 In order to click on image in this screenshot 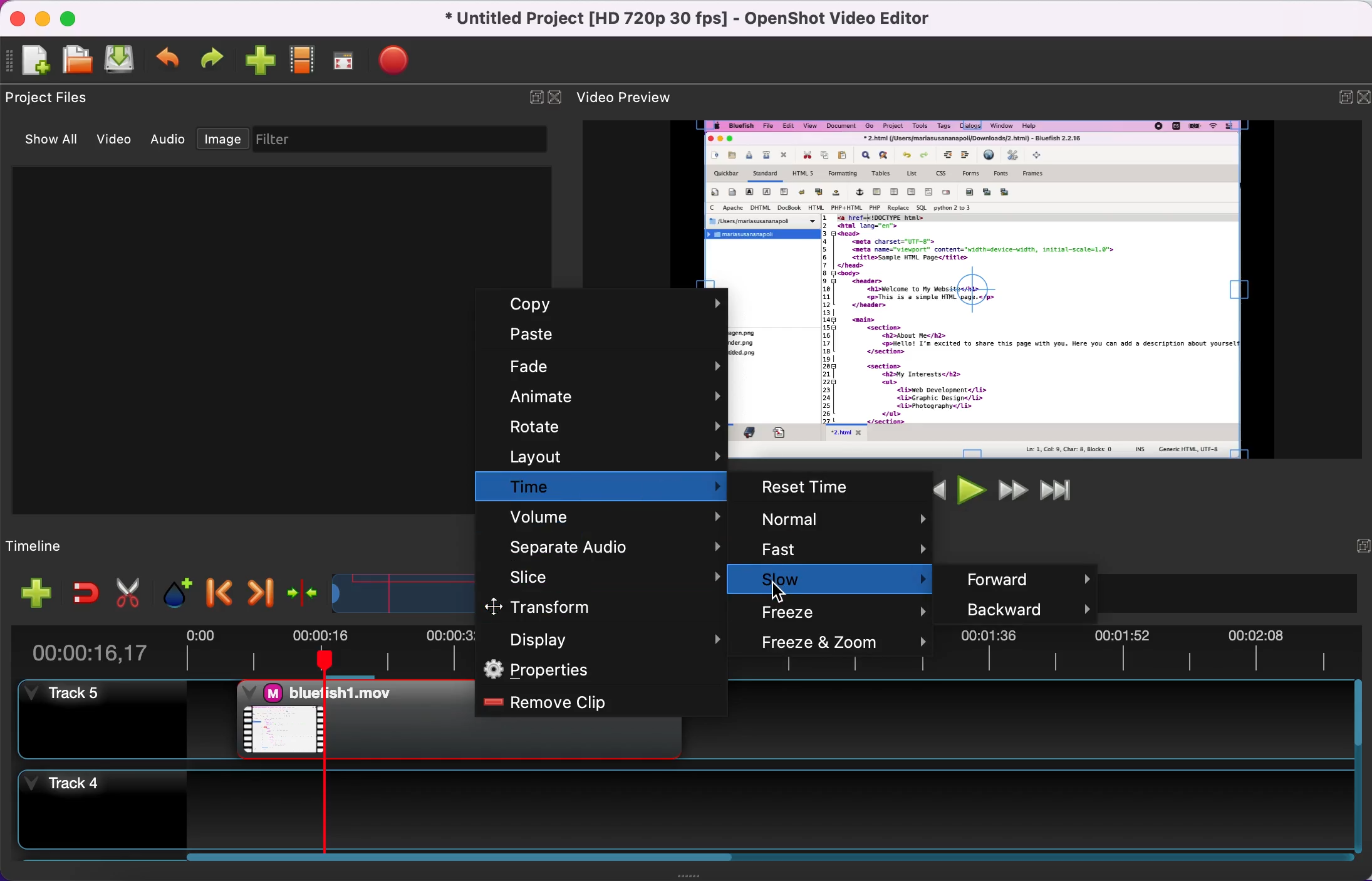, I will do `click(226, 140)`.